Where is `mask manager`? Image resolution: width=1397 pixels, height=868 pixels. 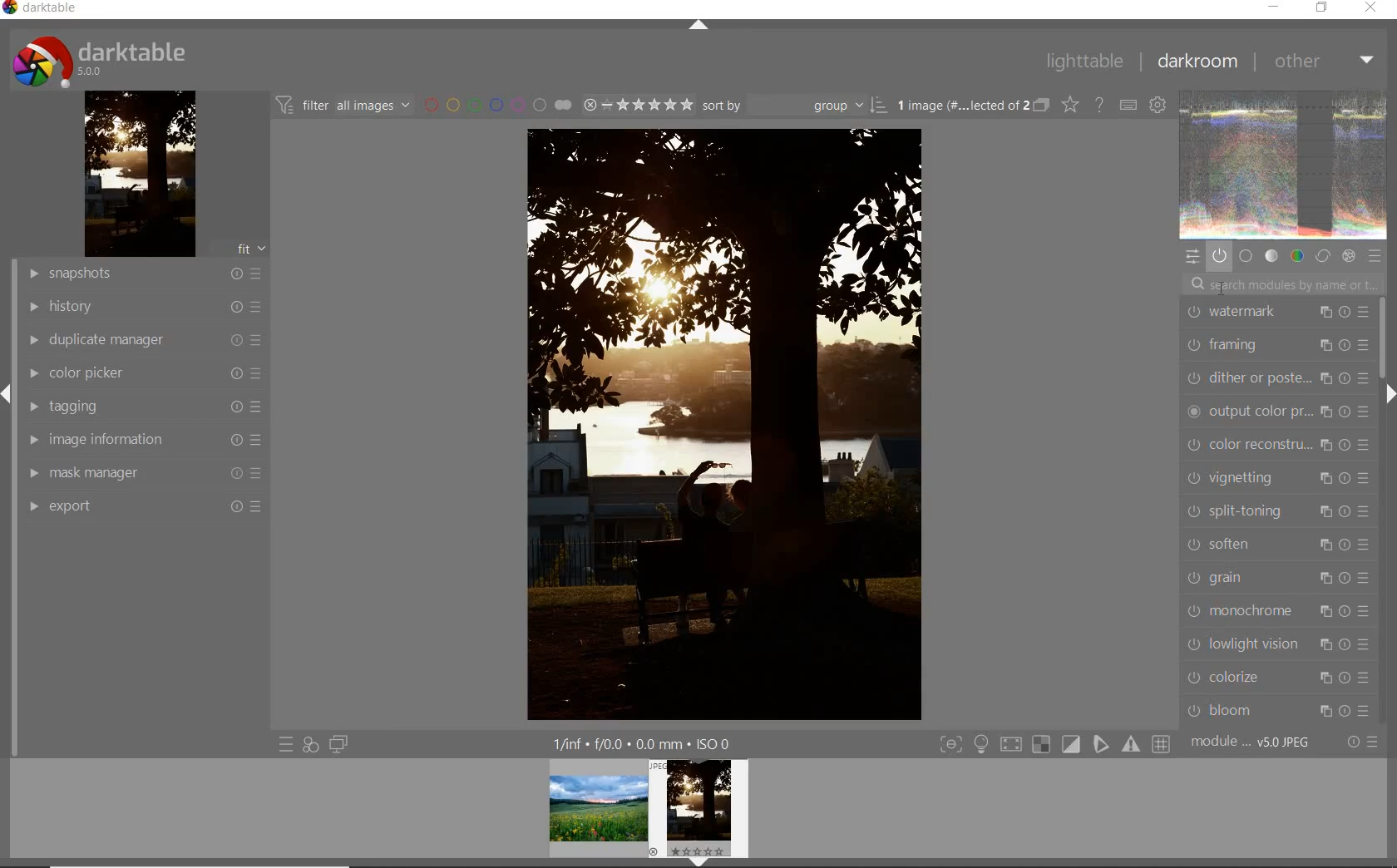
mask manager is located at coordinates (143, 476).